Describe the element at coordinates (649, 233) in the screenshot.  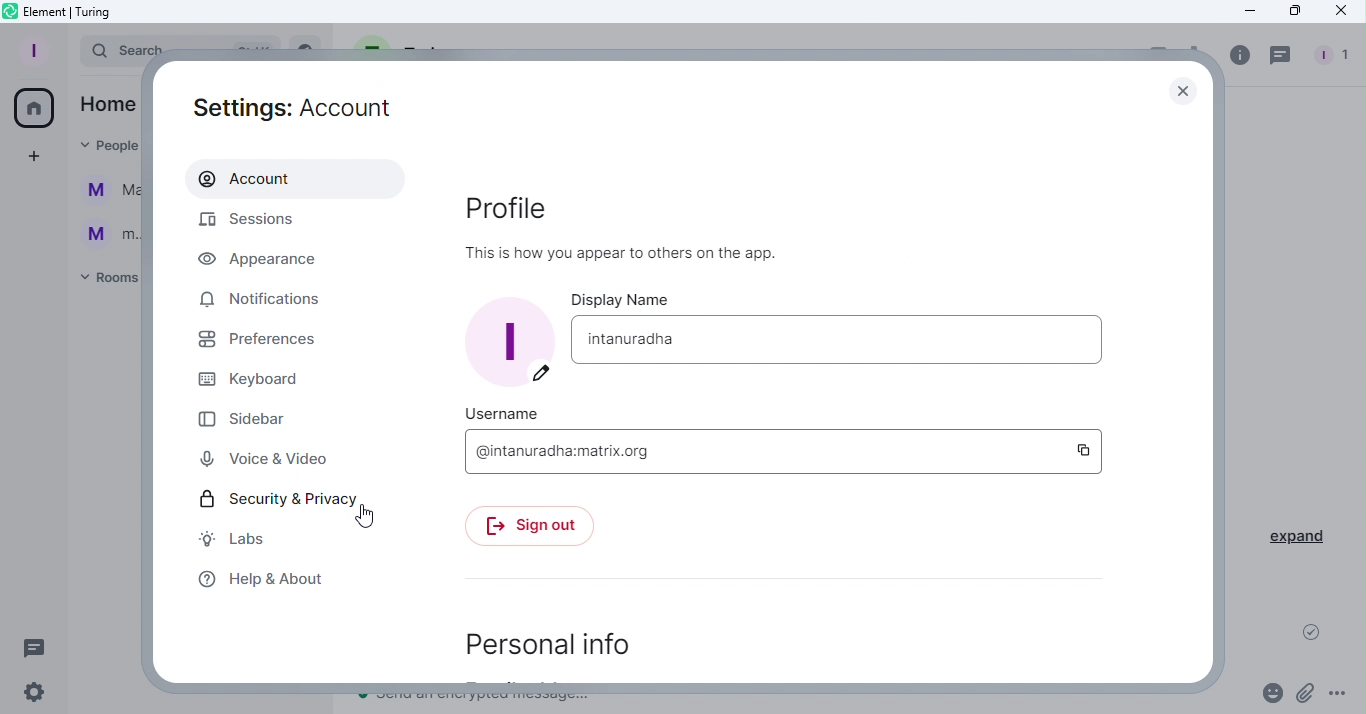
I see `Profile` at that location.